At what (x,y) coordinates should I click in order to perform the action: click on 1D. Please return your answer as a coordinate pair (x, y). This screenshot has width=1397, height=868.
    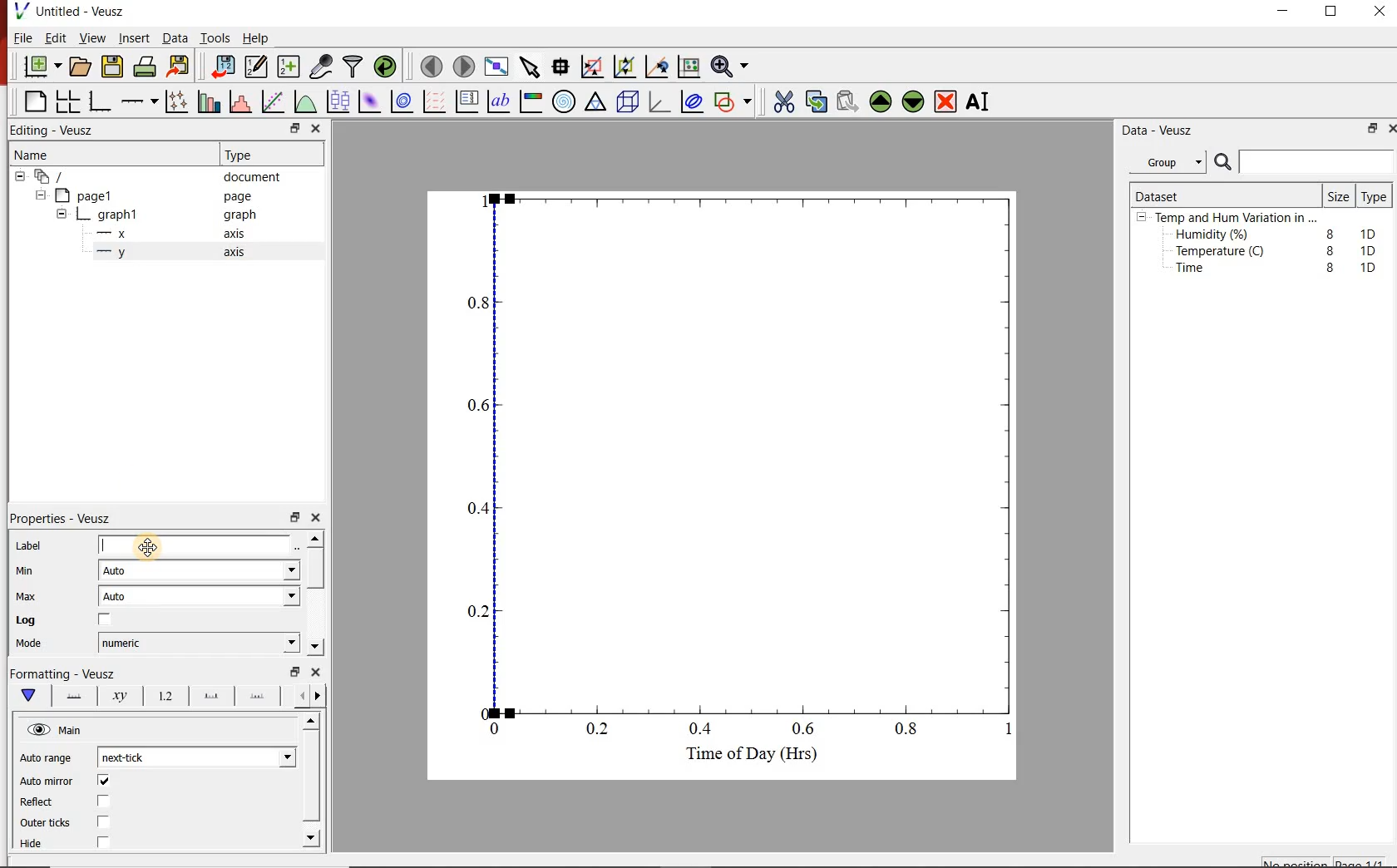
    Looking at the image, I should click on (1368, 267).